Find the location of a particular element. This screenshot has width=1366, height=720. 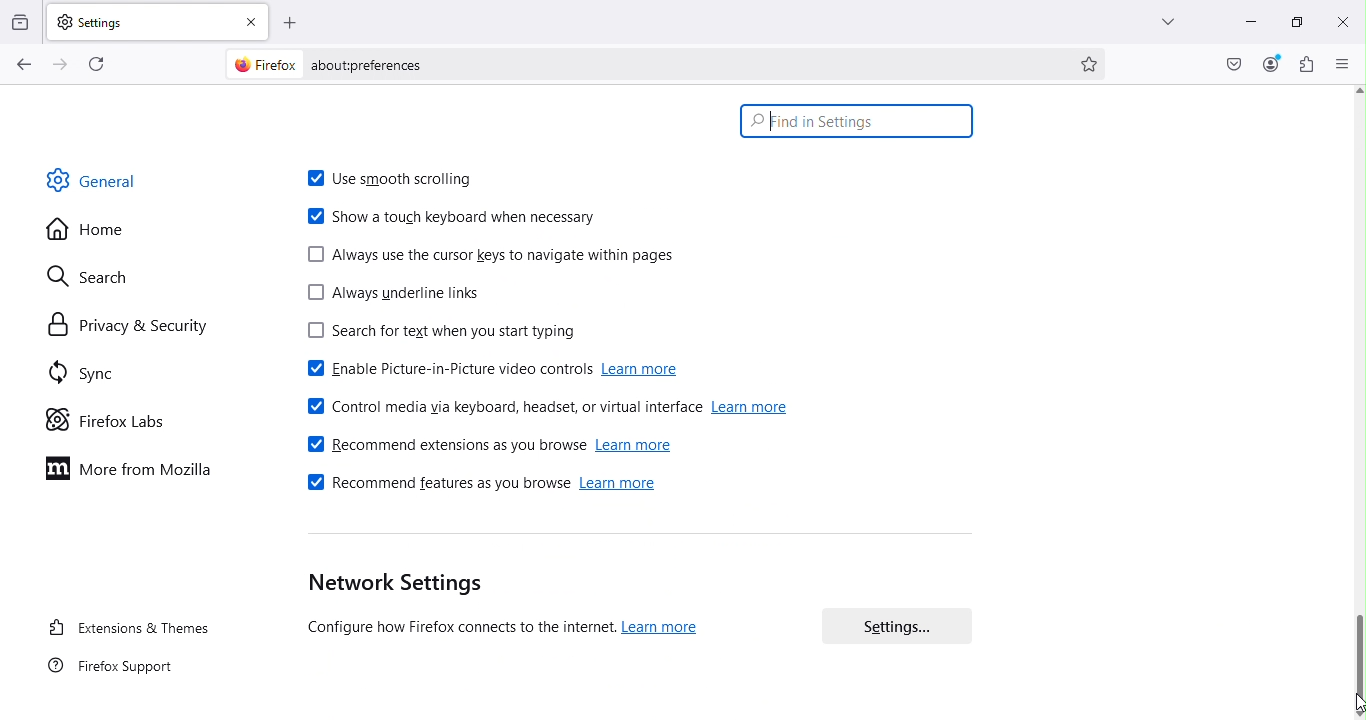

Reload the current page is located at coordinates (93, 63).